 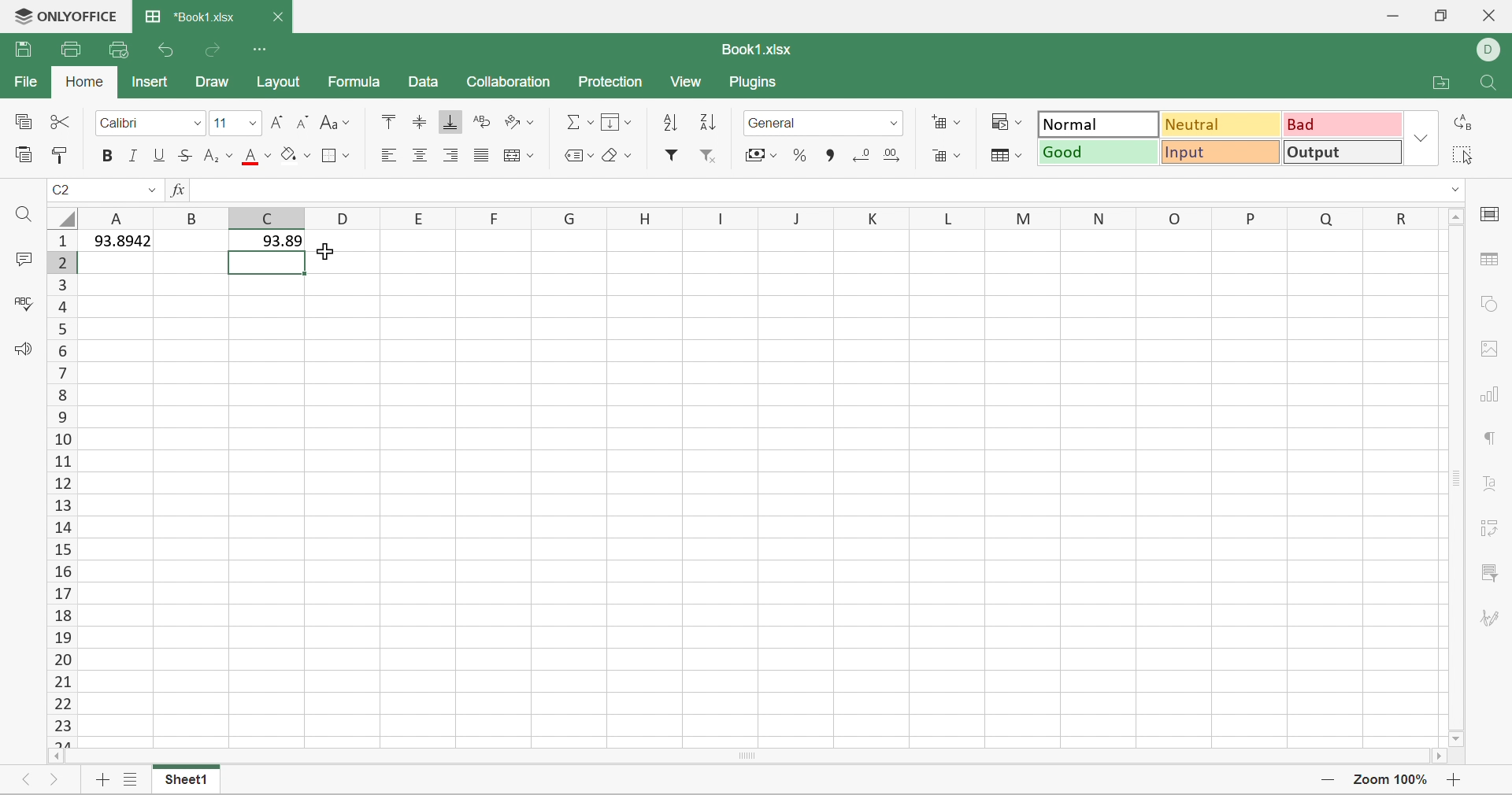 What do you see at coordinates (1100, 152) in the screenshot?
I see `Good` at bounding box center [1100, 152].